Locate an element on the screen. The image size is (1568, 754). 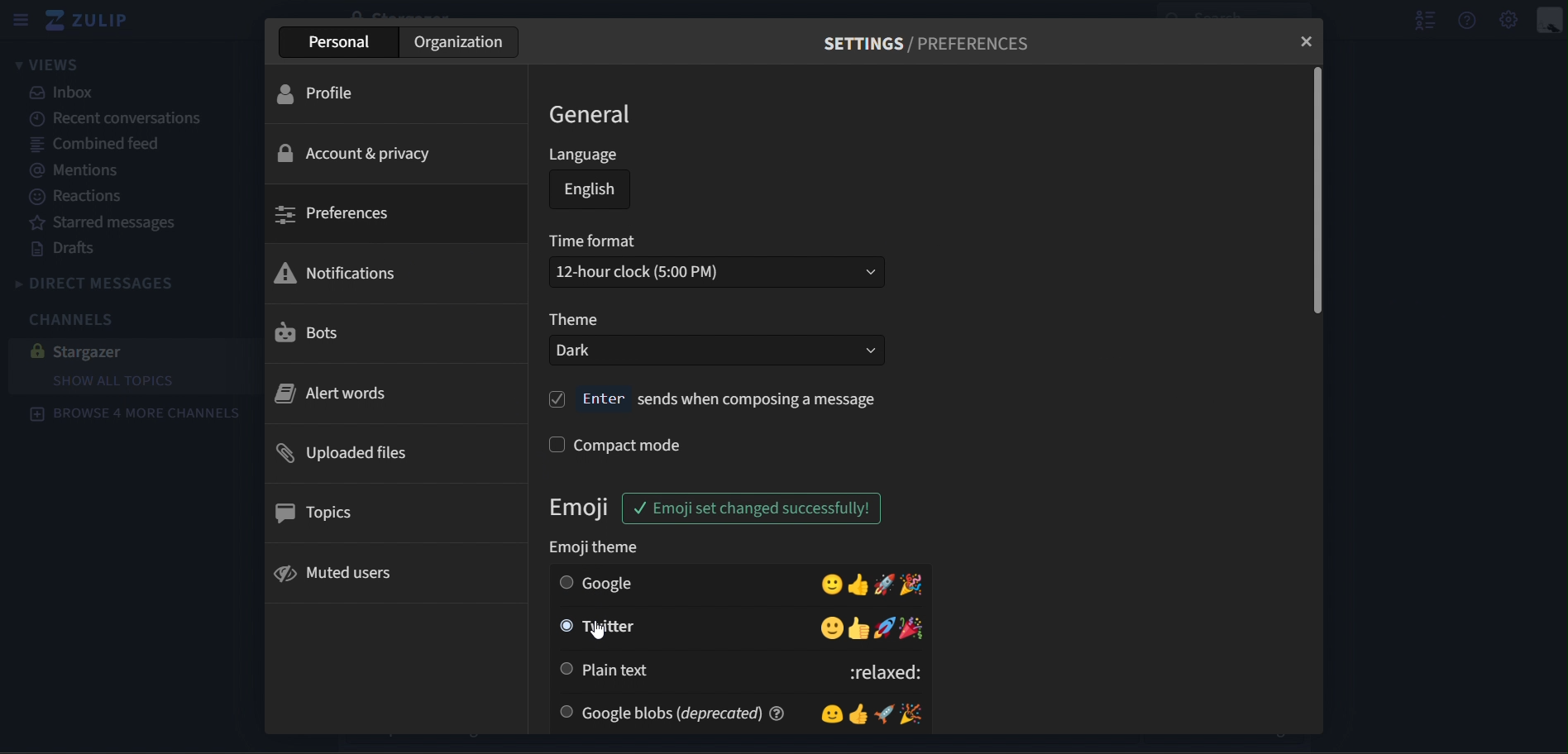
theme is located at coordinates (574, 320).